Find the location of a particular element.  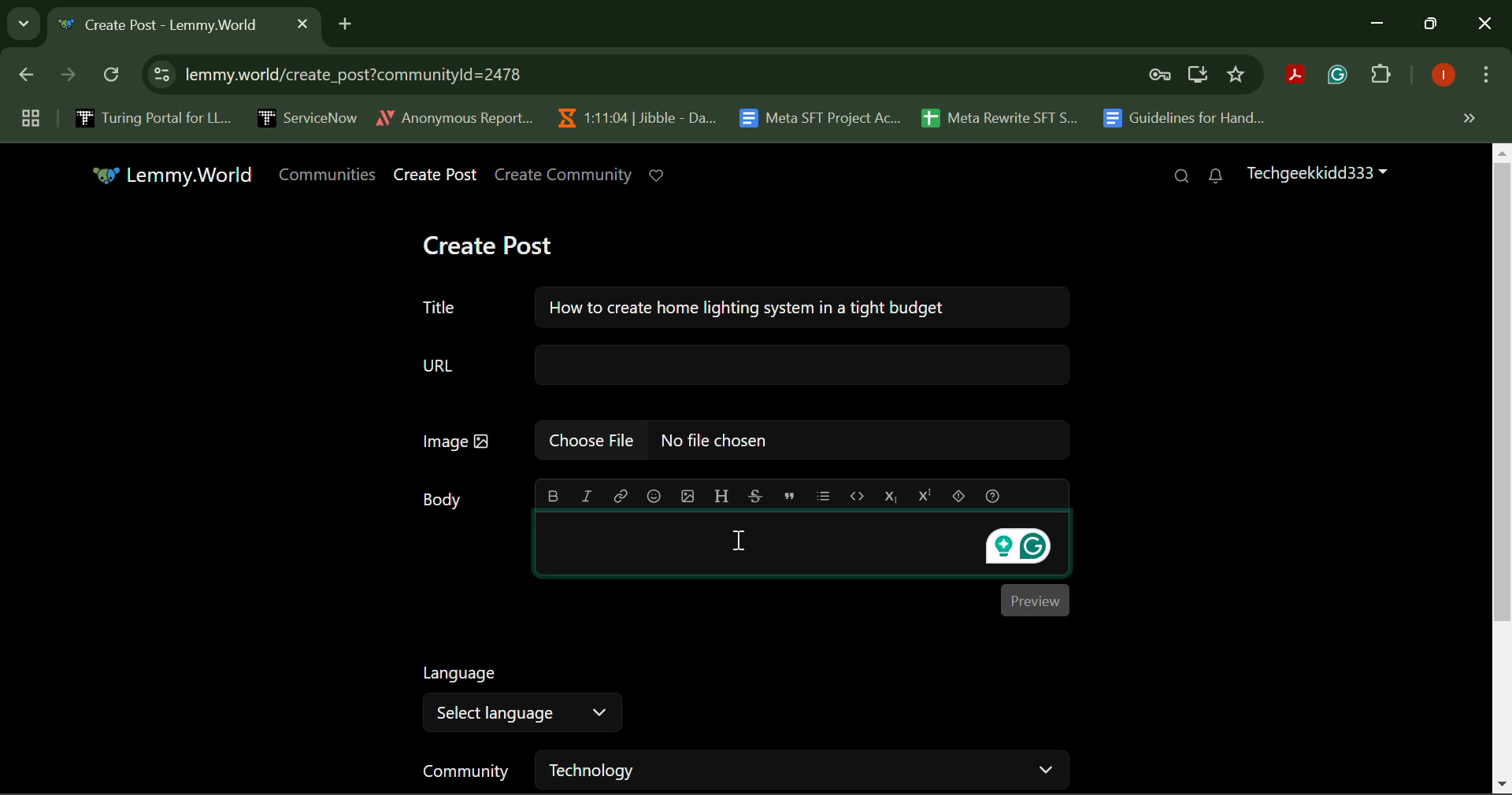

subscript is located at coordinates (892, 494).